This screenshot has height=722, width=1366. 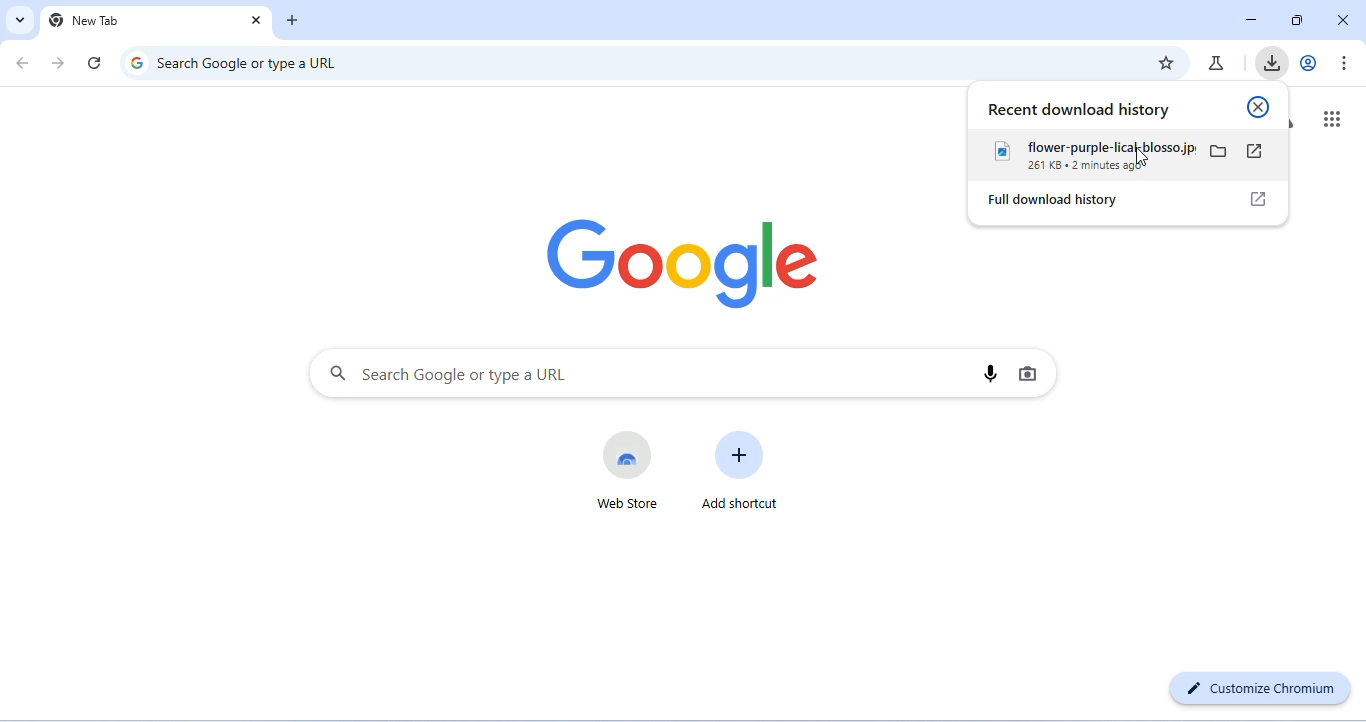 What do you see at coordinates (1091, 147) in the screenshot?
I see `downloaded file name` at bounding box center [1091, 147].